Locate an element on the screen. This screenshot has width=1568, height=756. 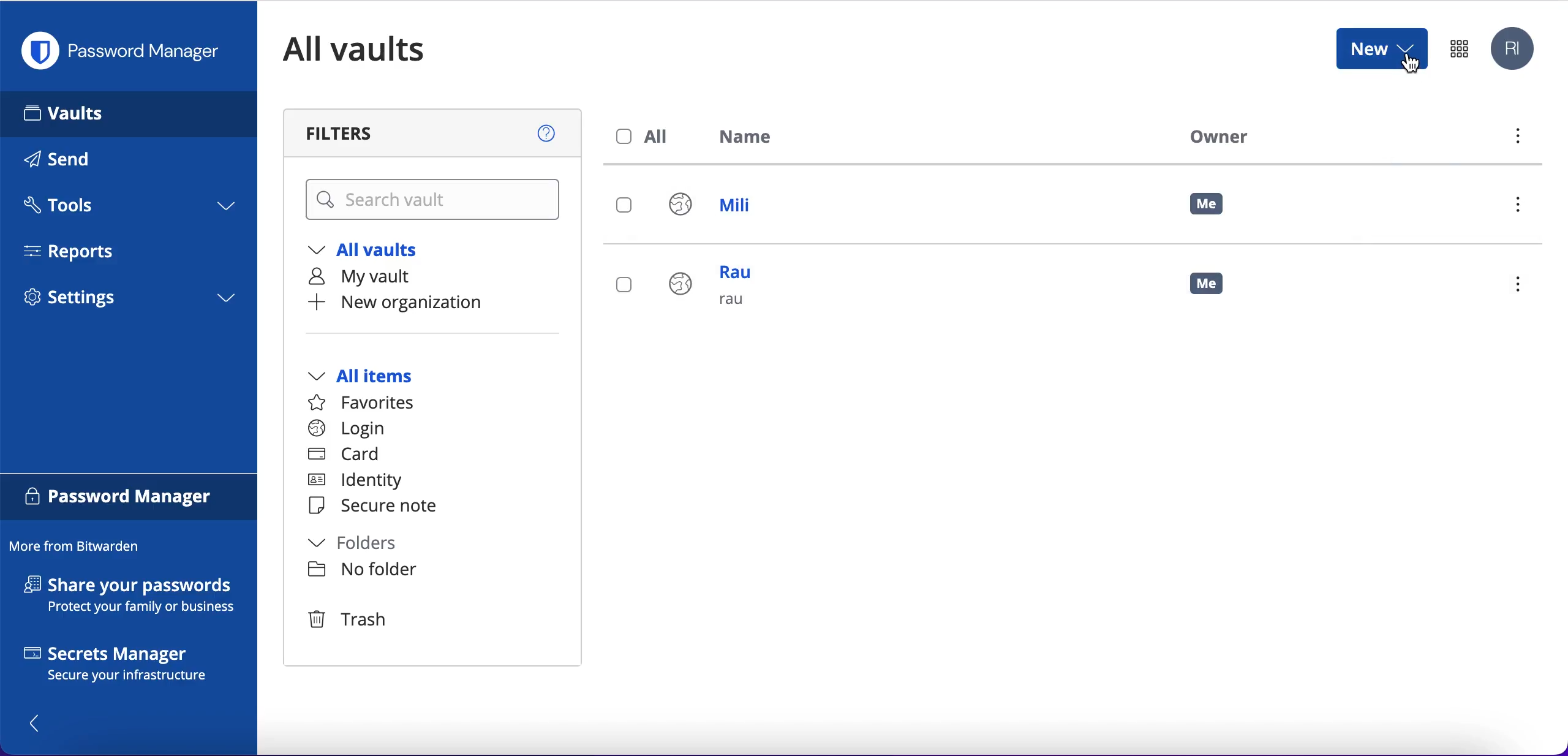
trash is located at coordinates (350, 621).